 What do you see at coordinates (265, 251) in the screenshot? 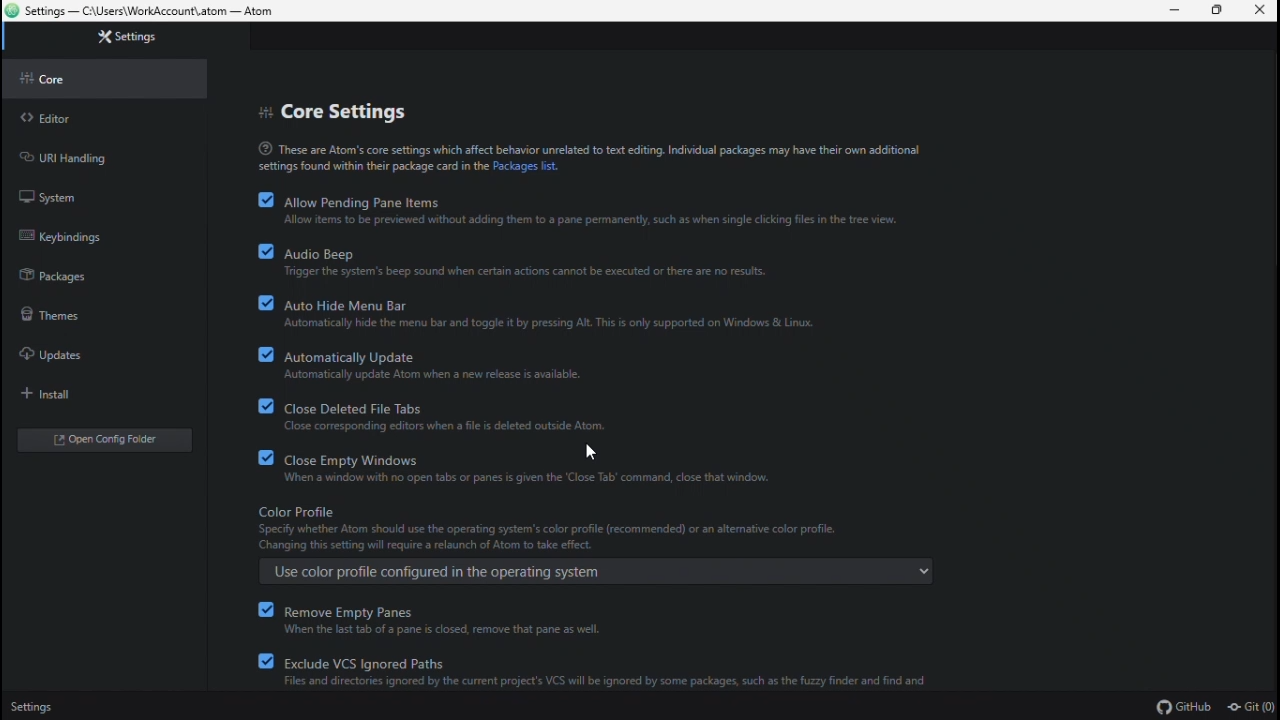
I see `checkbox` at bounding box center [265, 251].